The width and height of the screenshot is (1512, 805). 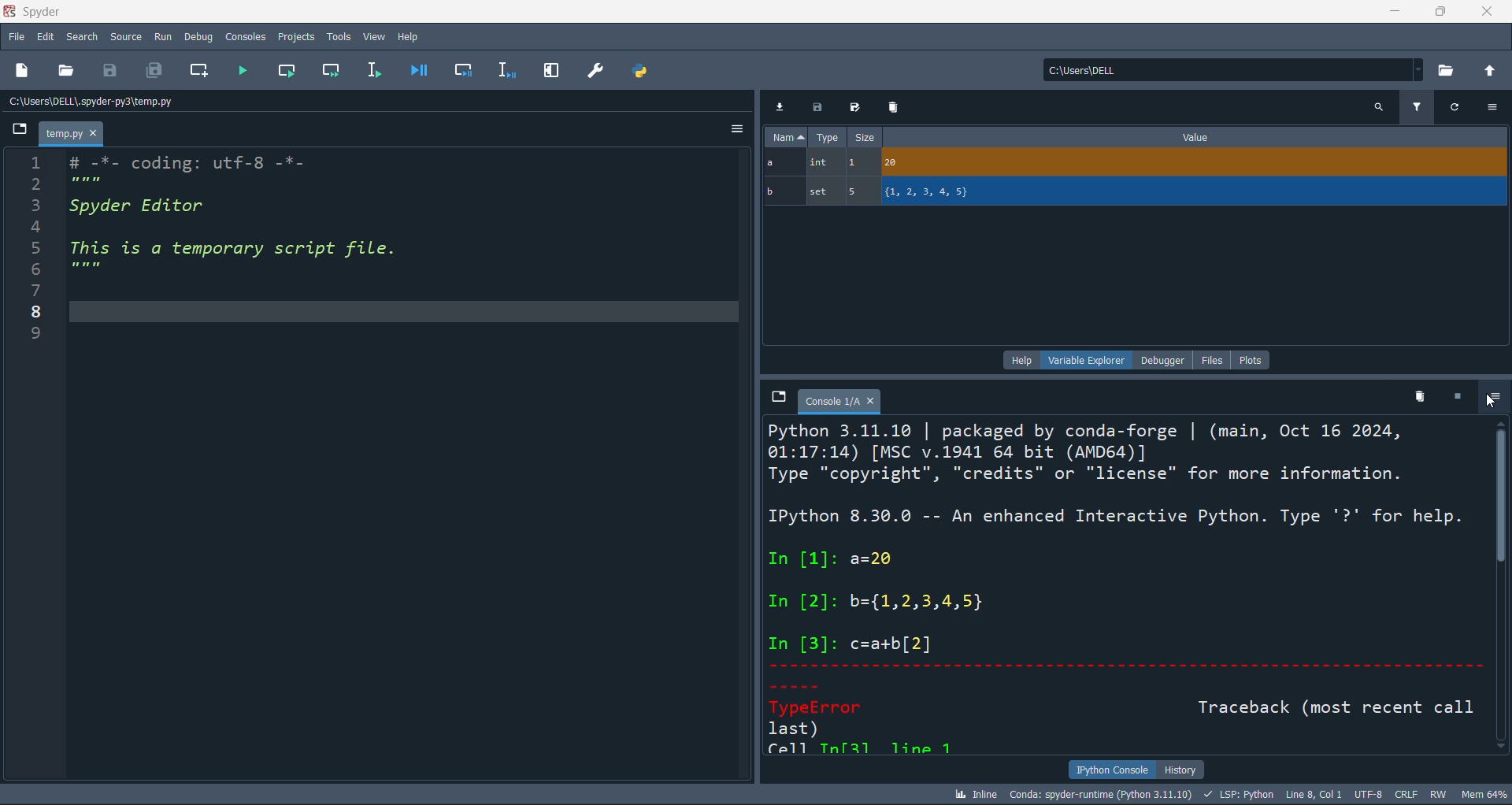 I want to click on debug line, so click(x=504, y=69).